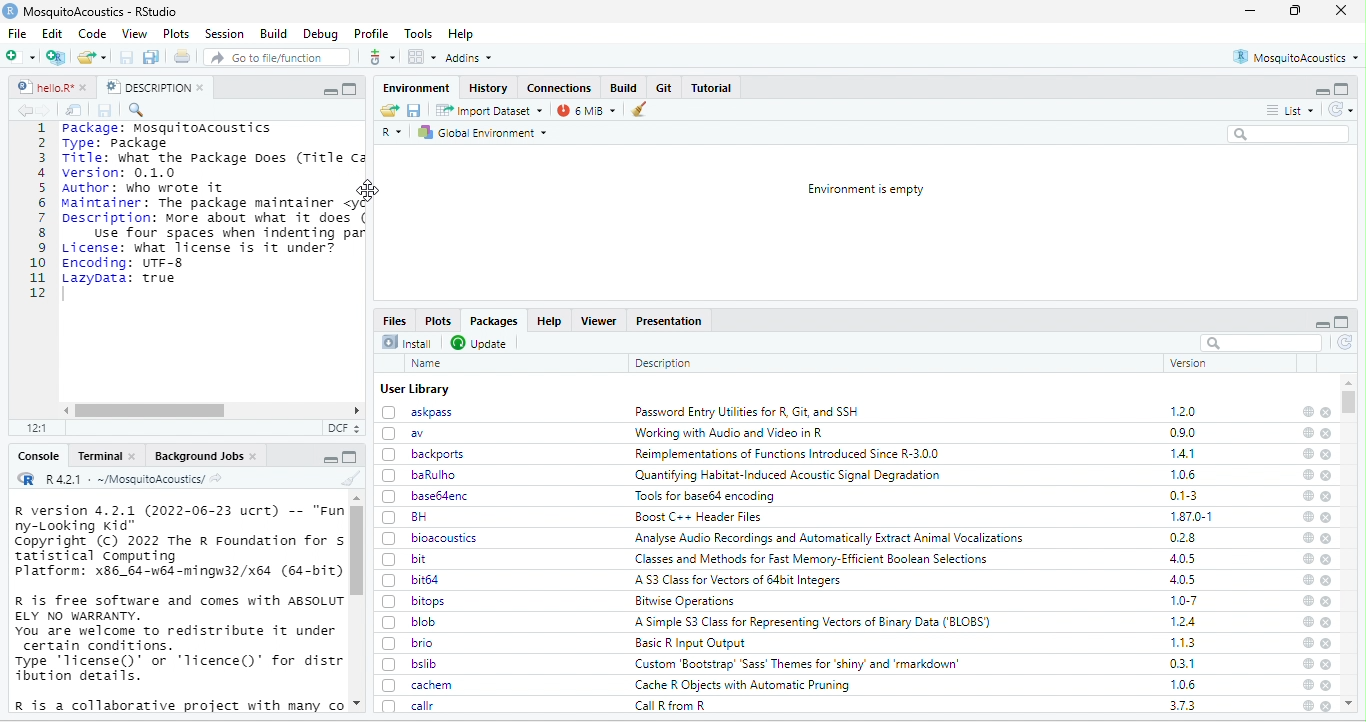  What do you see at coordinates (381, 56) in the screenshot?
I see `more options` at bounding box center [381, 56].